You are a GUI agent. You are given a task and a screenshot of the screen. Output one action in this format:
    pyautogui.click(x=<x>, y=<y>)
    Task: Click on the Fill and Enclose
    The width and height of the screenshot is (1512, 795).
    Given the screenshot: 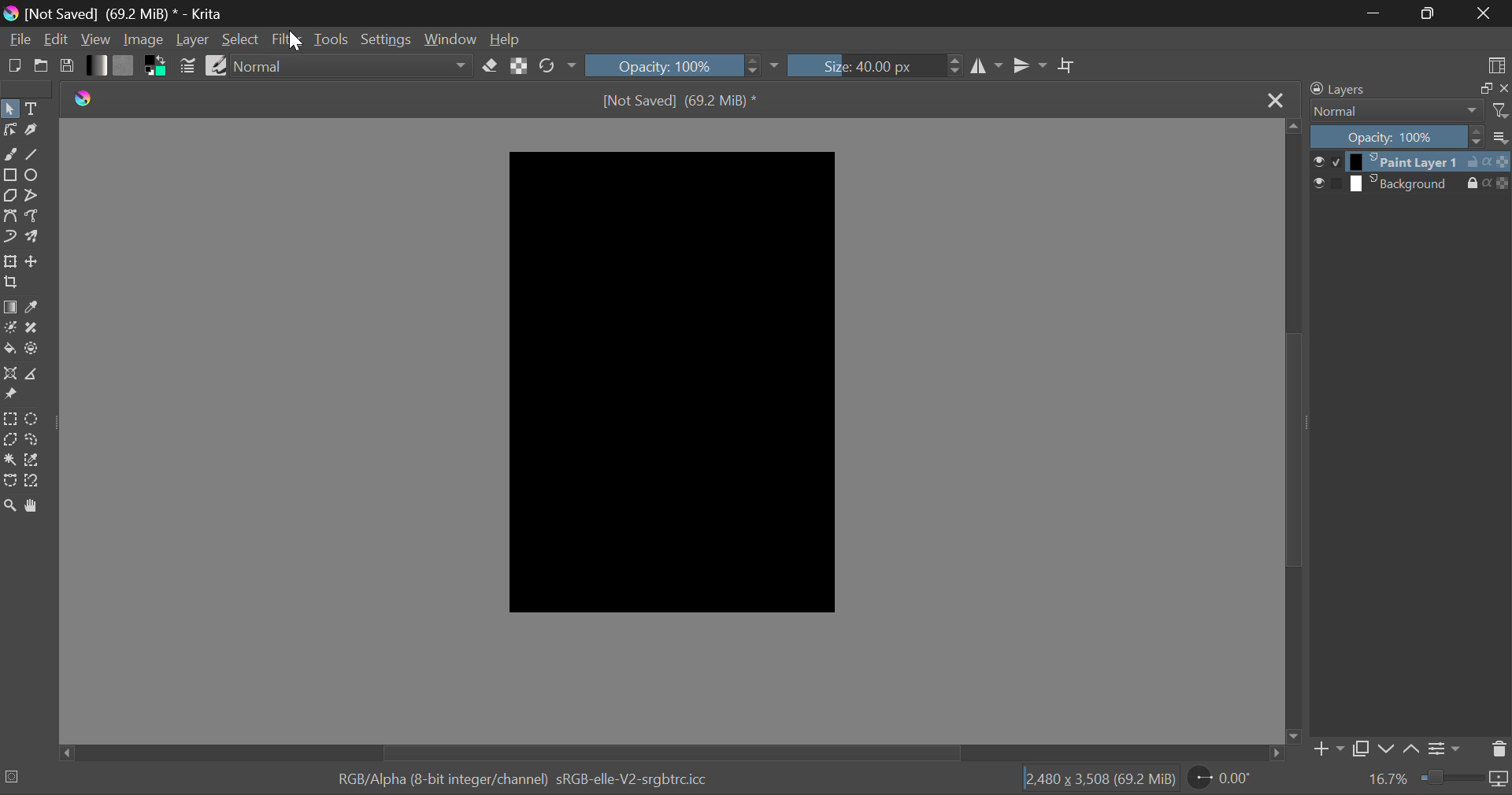 What is the action you would take?
    pyautogui.click(x=33, y=348)
    